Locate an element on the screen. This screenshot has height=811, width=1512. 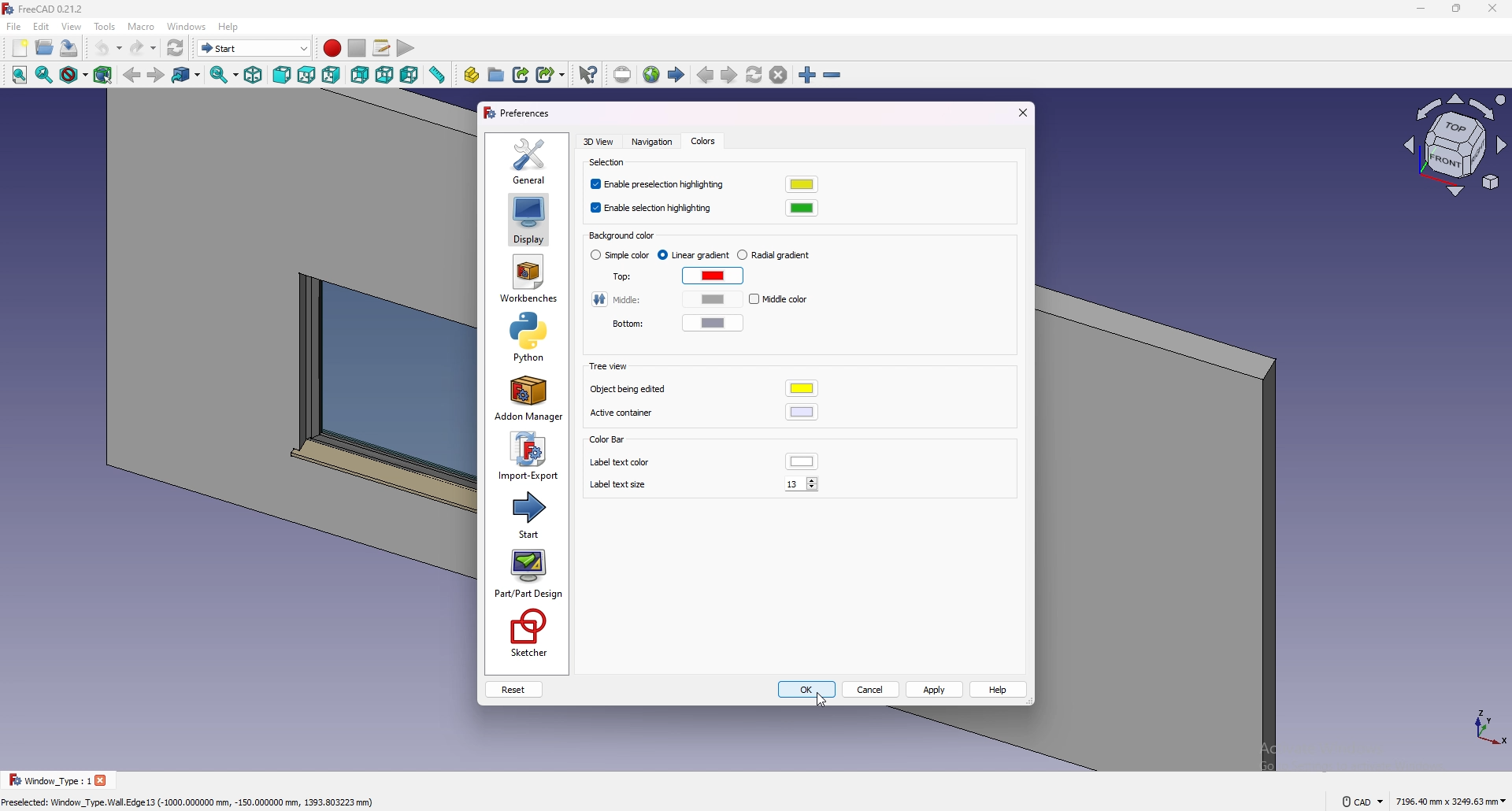
previous page is located at coordinates (706, 76).